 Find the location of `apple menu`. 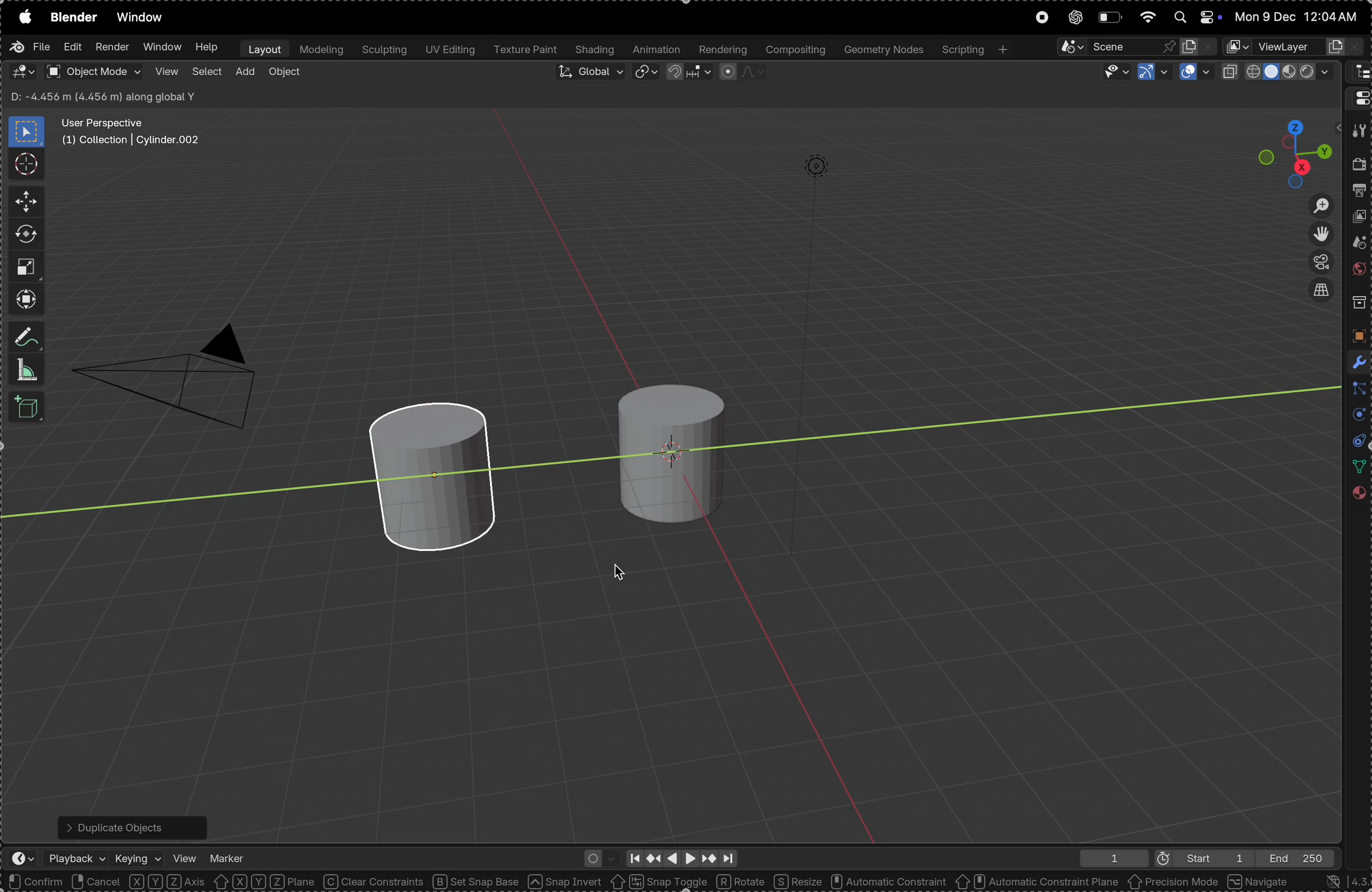

apple menu is located at coordinates (22, 17).